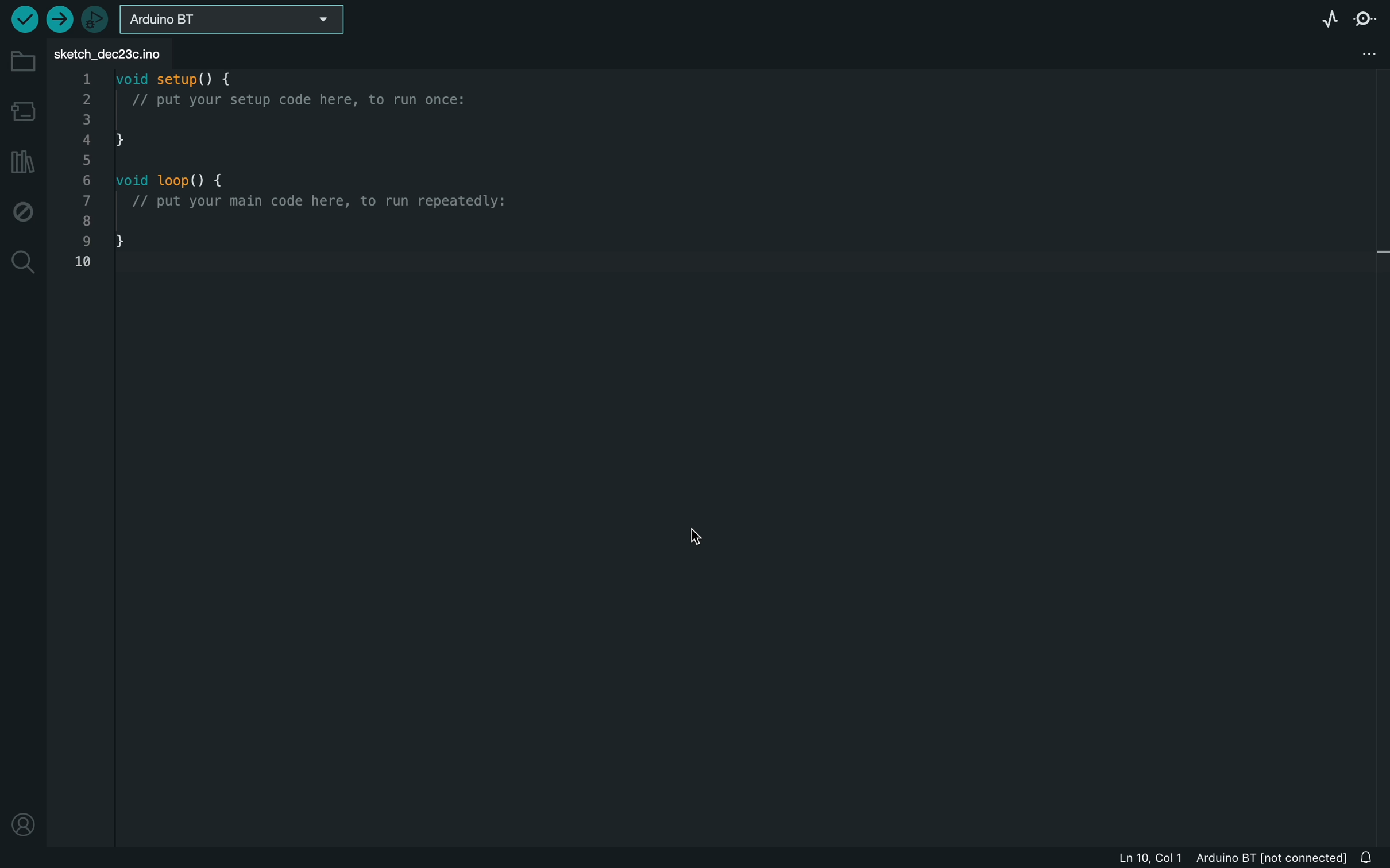 This screenshot has height=868, width=1390. I want to click on folder, so click(25, 63).